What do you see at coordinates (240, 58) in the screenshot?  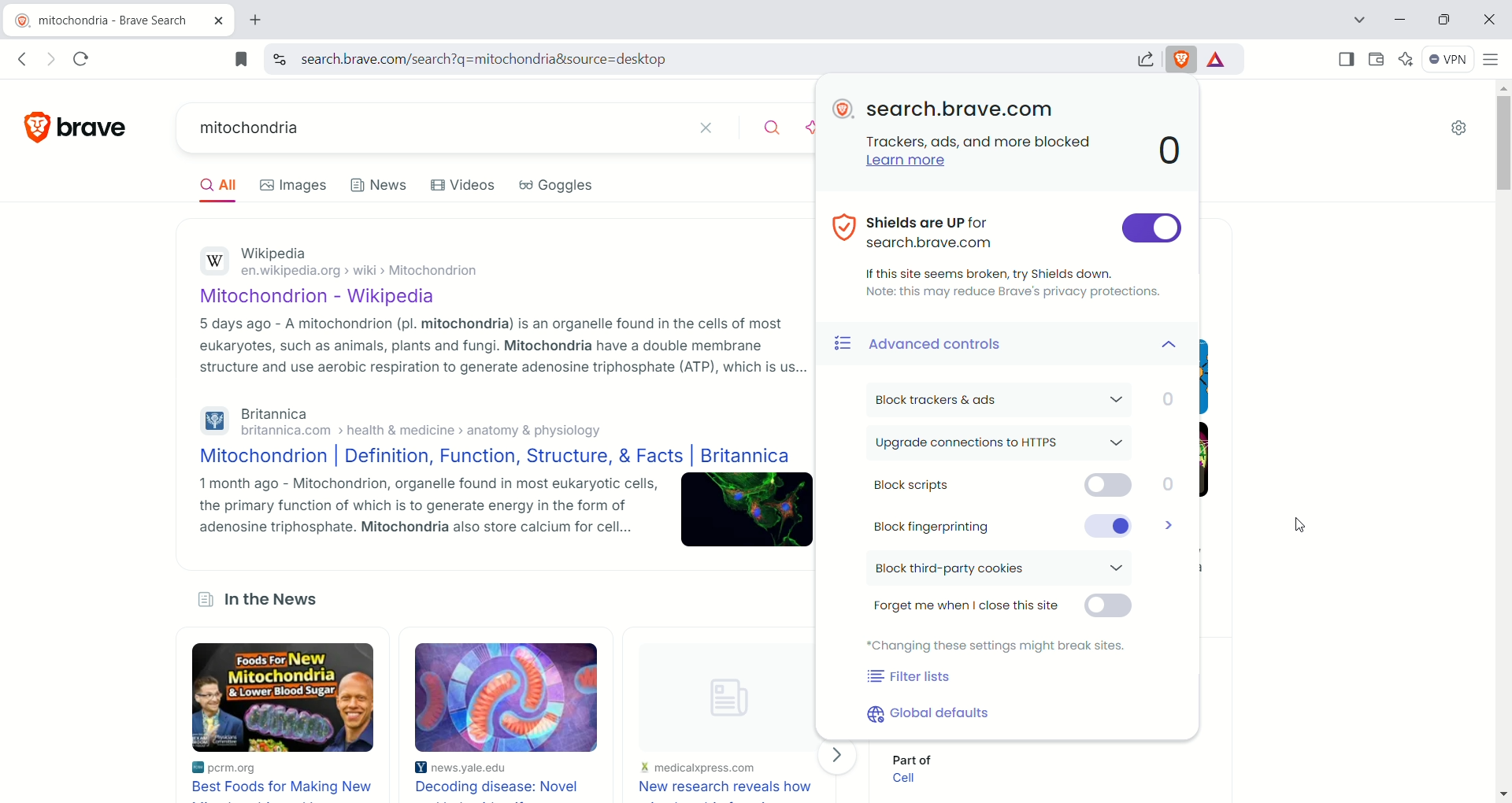 I see `bookmark` at bounding box center [240, 58].